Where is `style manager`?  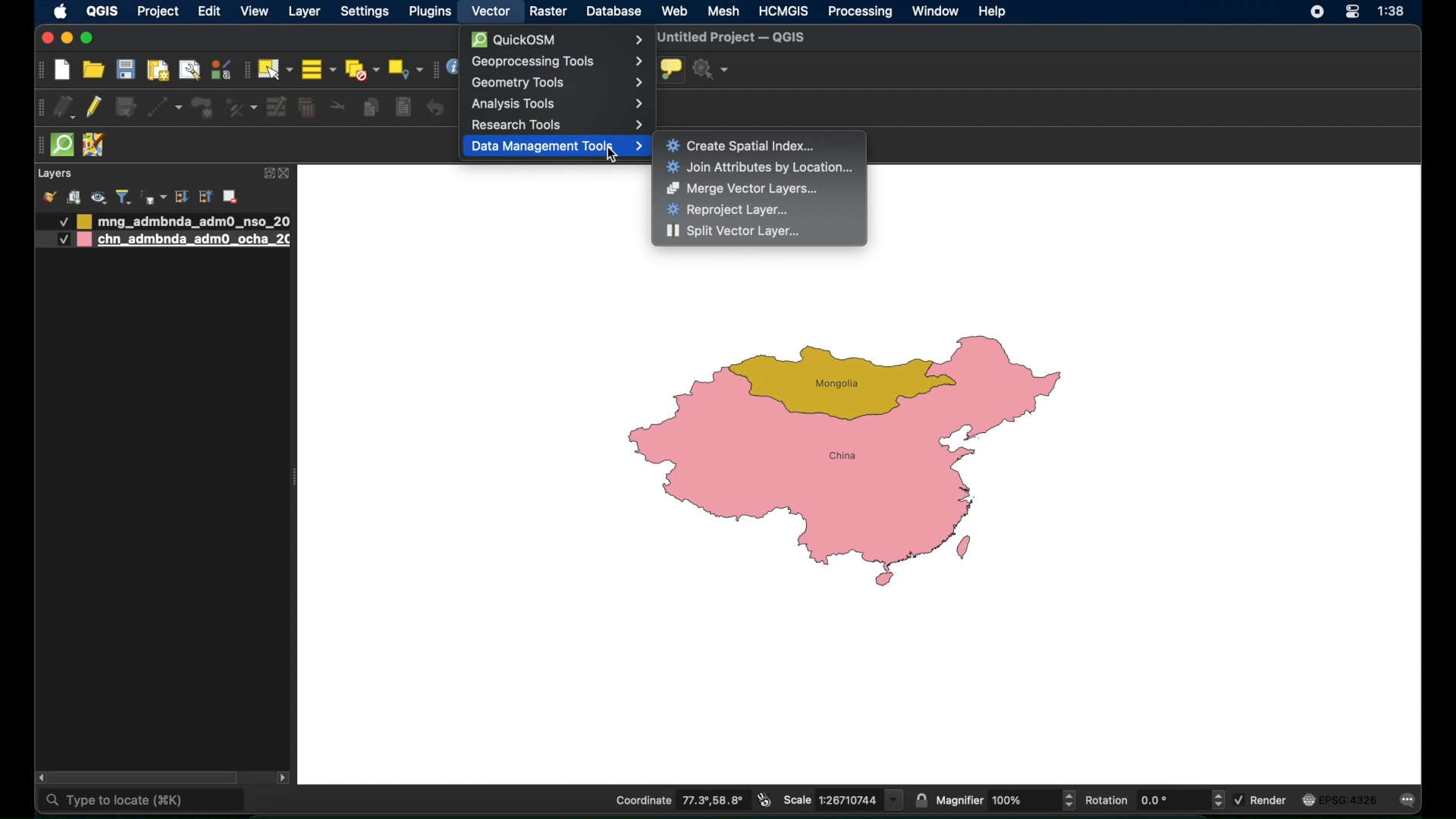 style manager is located at coordinates (220, 69).